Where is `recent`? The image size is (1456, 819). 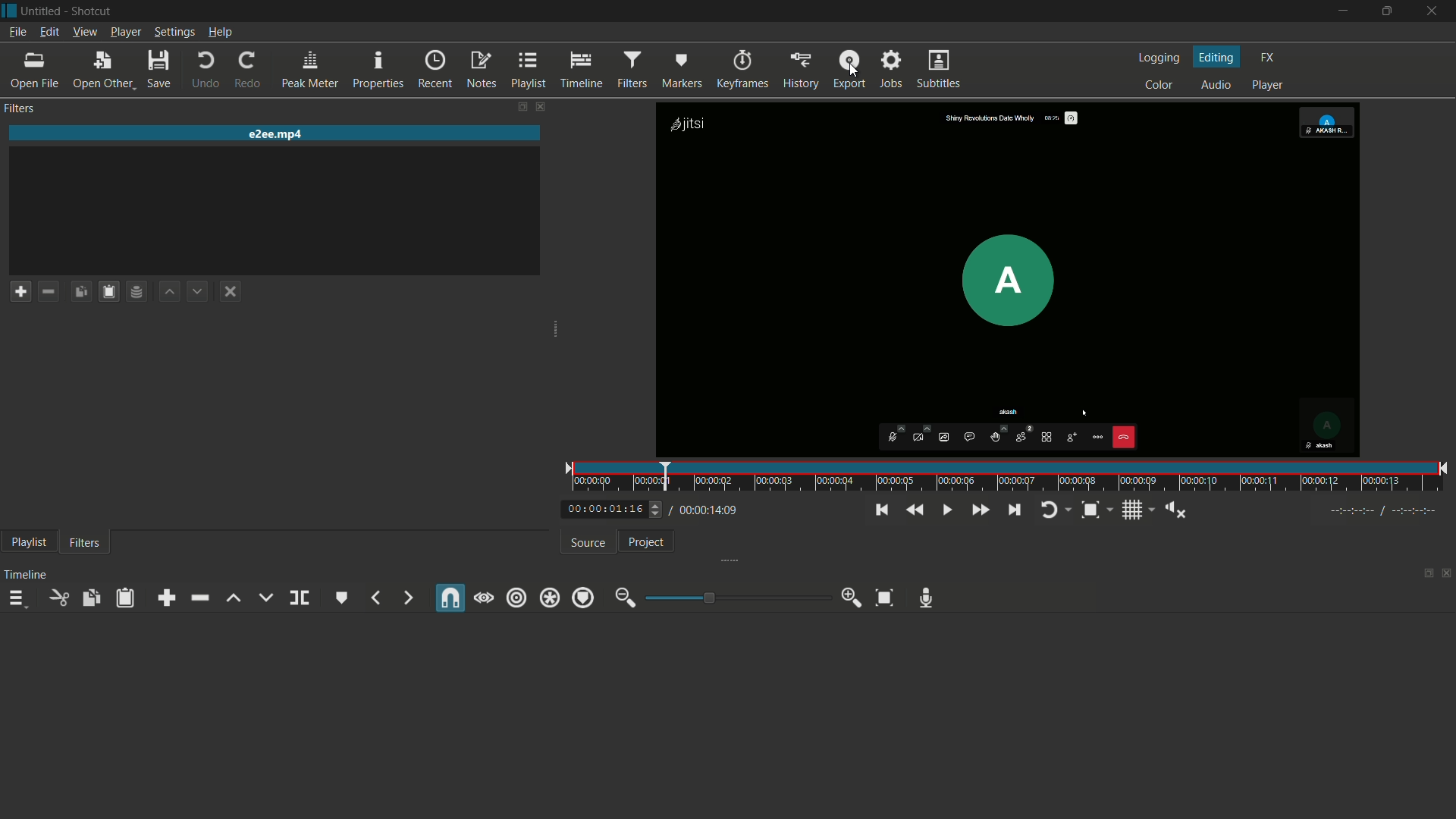 recent is located at coordinates (435, 69).